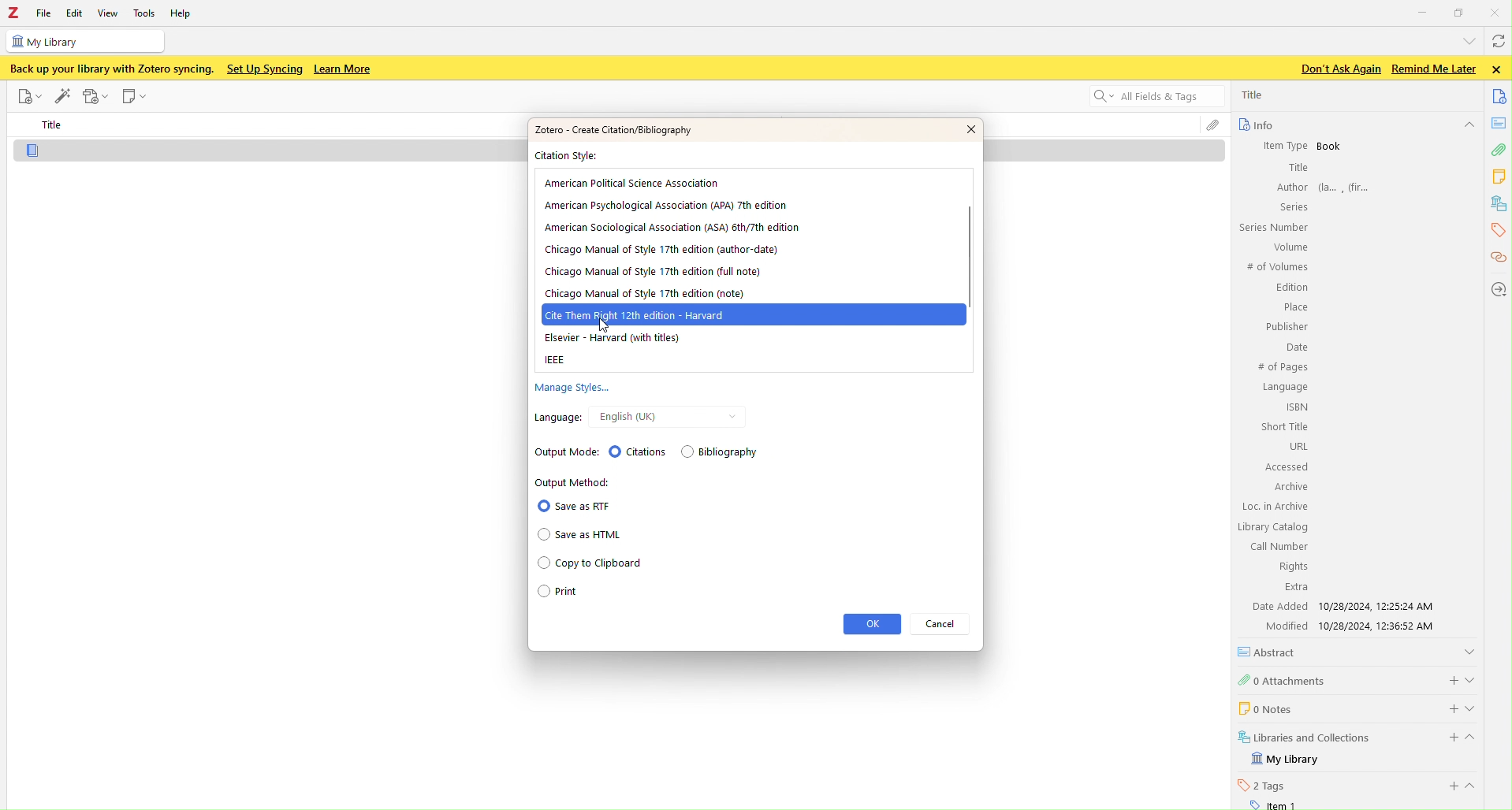 The image size is (1512, 810). What do you see at coordinates (1500, 95) in the screenshot?
I see `documents` at bounding box center [1500, 95].